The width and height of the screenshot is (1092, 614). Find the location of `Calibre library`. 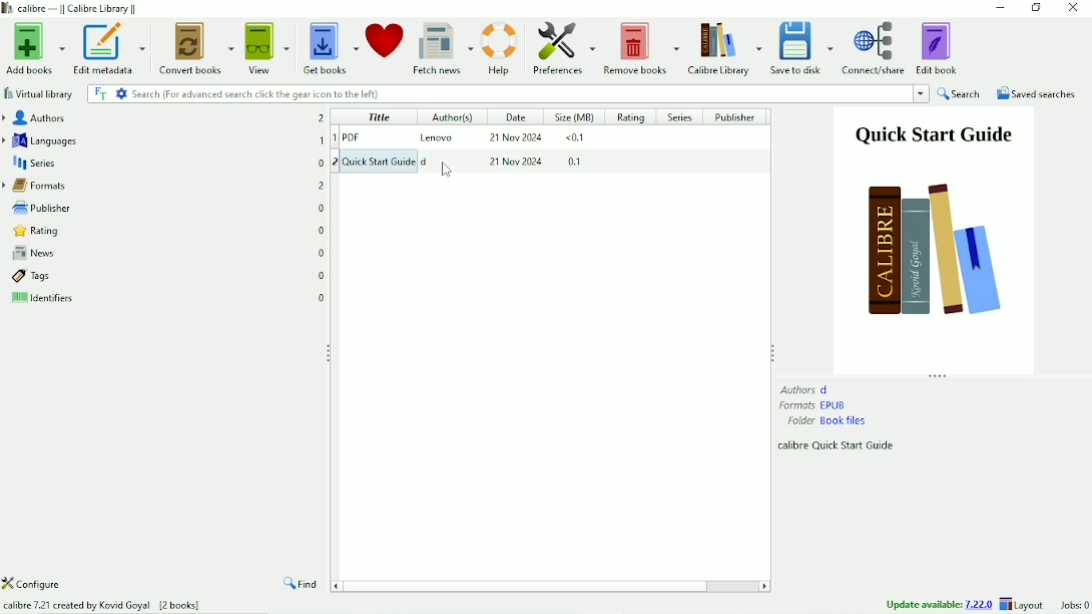

Calibre library is located at coordinates (724, 47).